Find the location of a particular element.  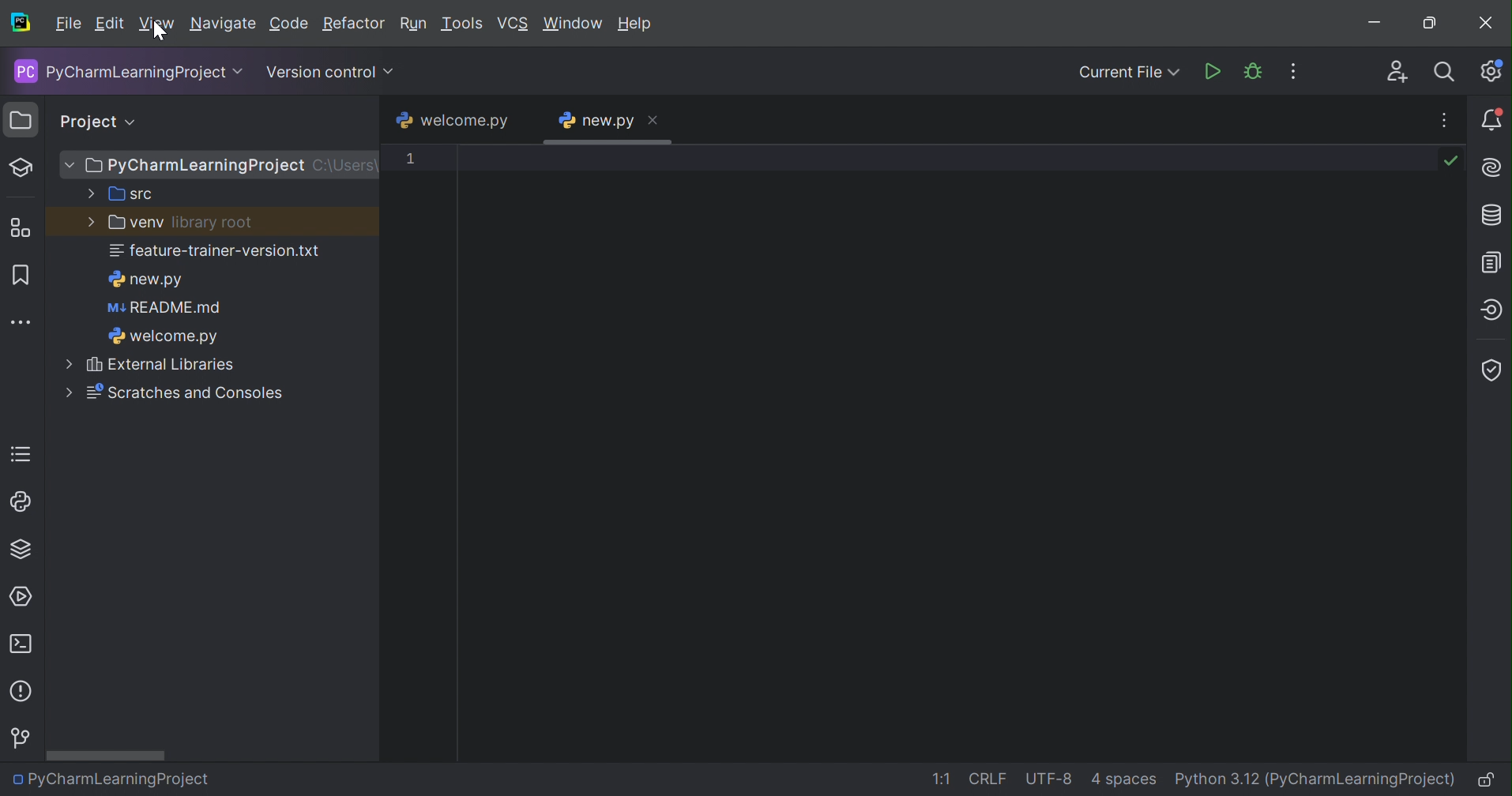

Scroll bar is located at coordinates (106, 755).